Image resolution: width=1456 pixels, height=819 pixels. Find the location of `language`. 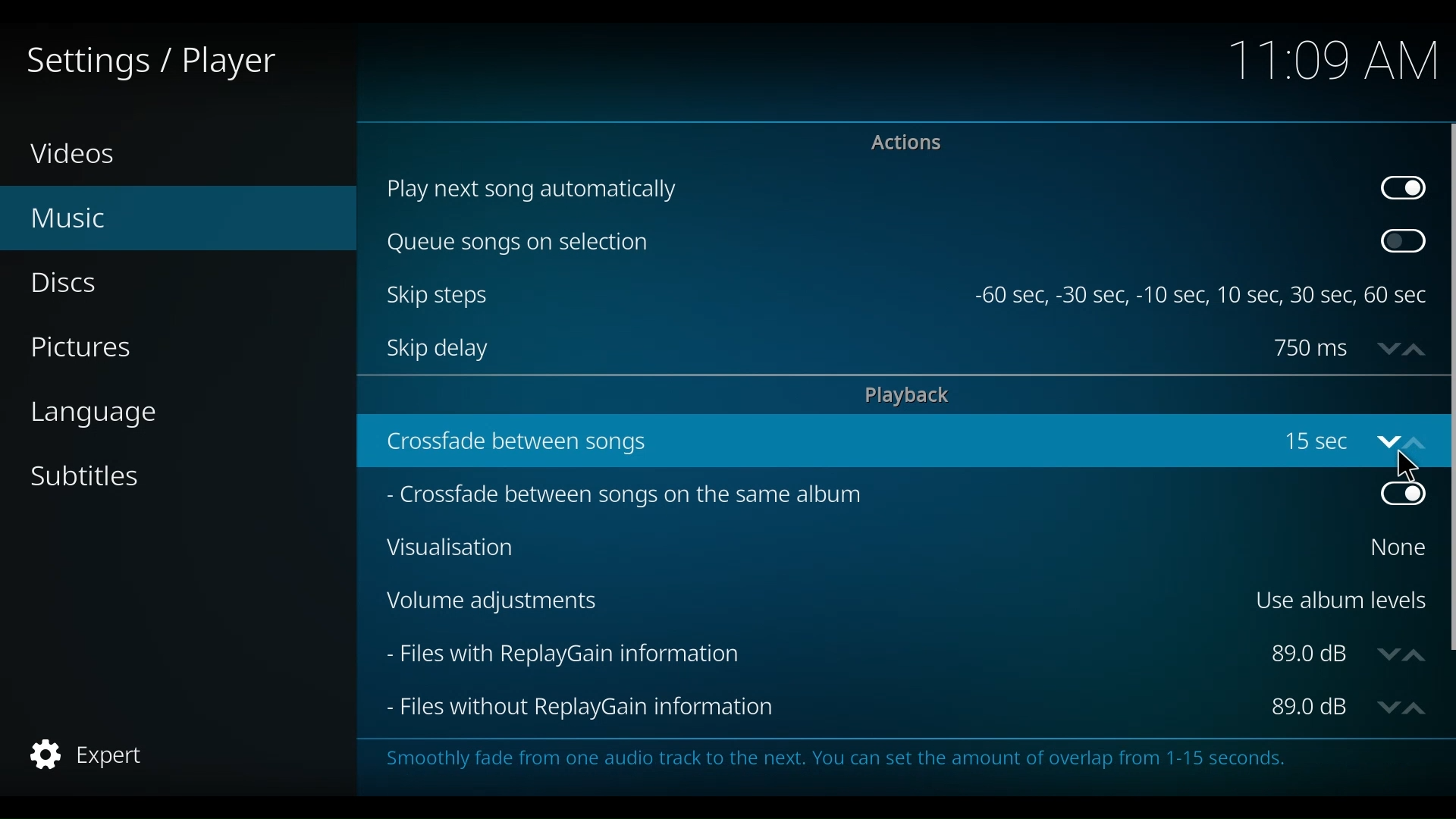

language is located at coordinates (101, 418).